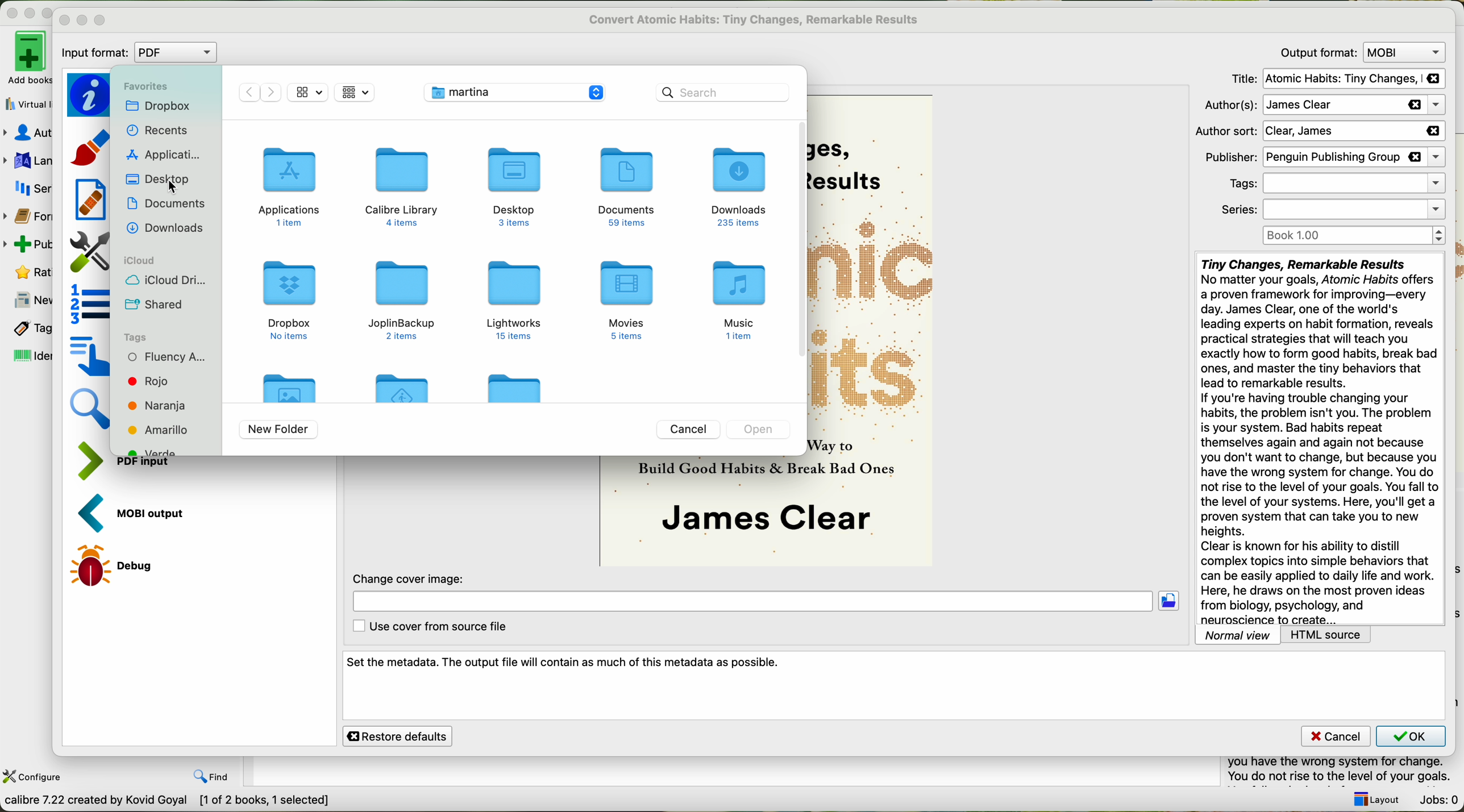 This screenshot has width=1464, height=812. Describe the element at coordinates (214, 777) in the screenshot. I see `find` at that location.